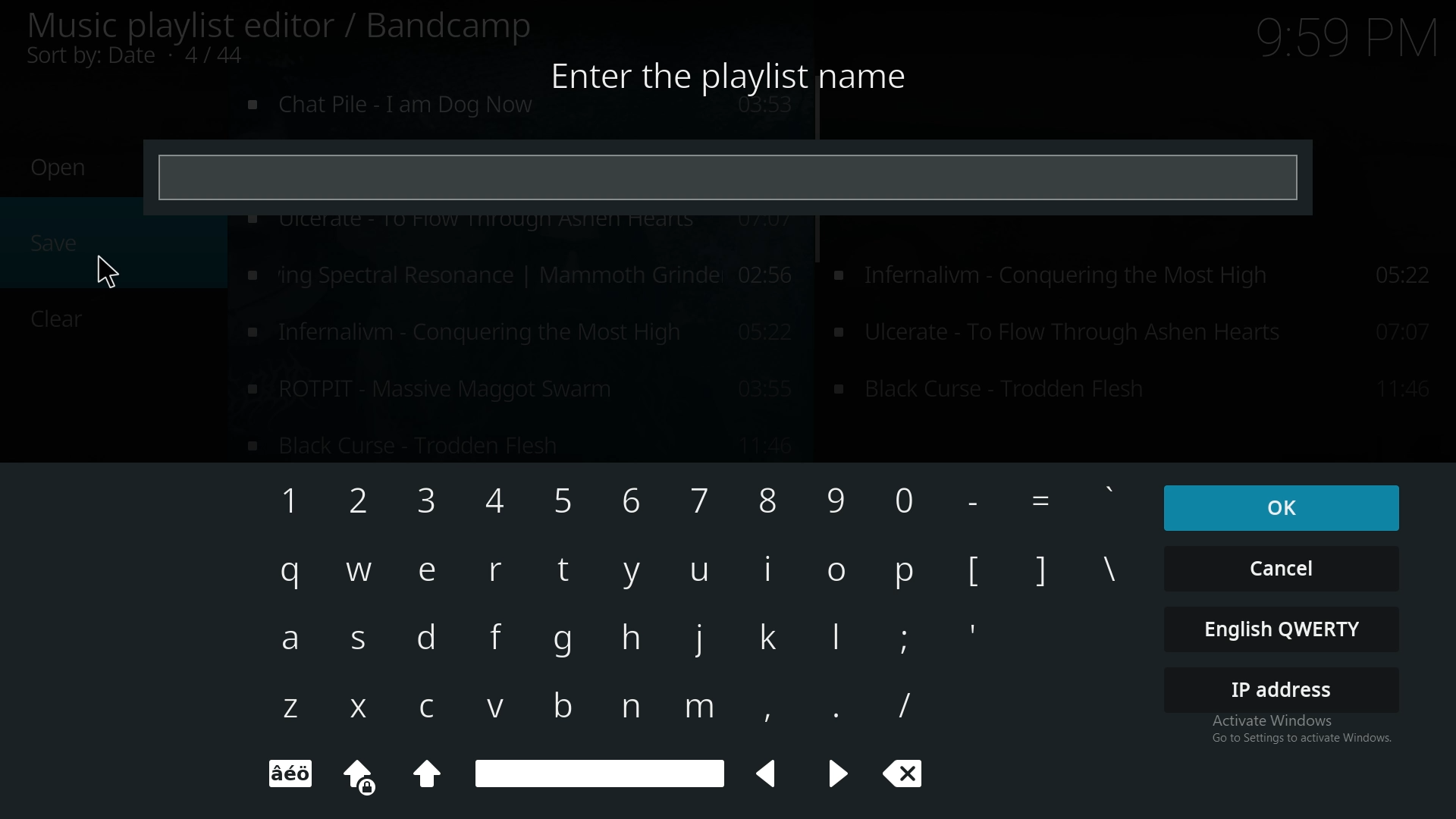  I want to click on Save, so click(57, 243).